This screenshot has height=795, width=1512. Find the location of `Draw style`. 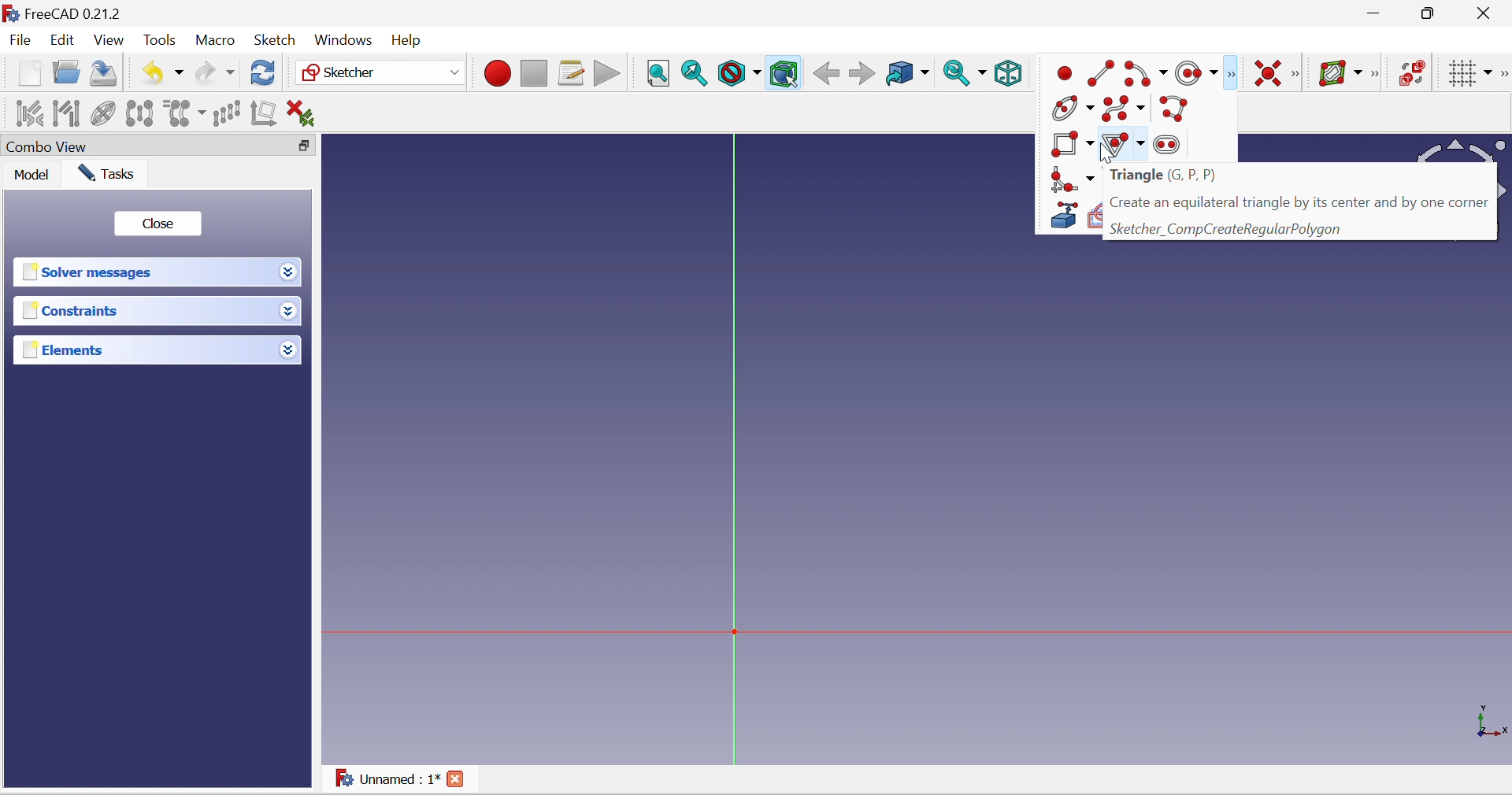

Draw style is located at coordinates (738, 74).